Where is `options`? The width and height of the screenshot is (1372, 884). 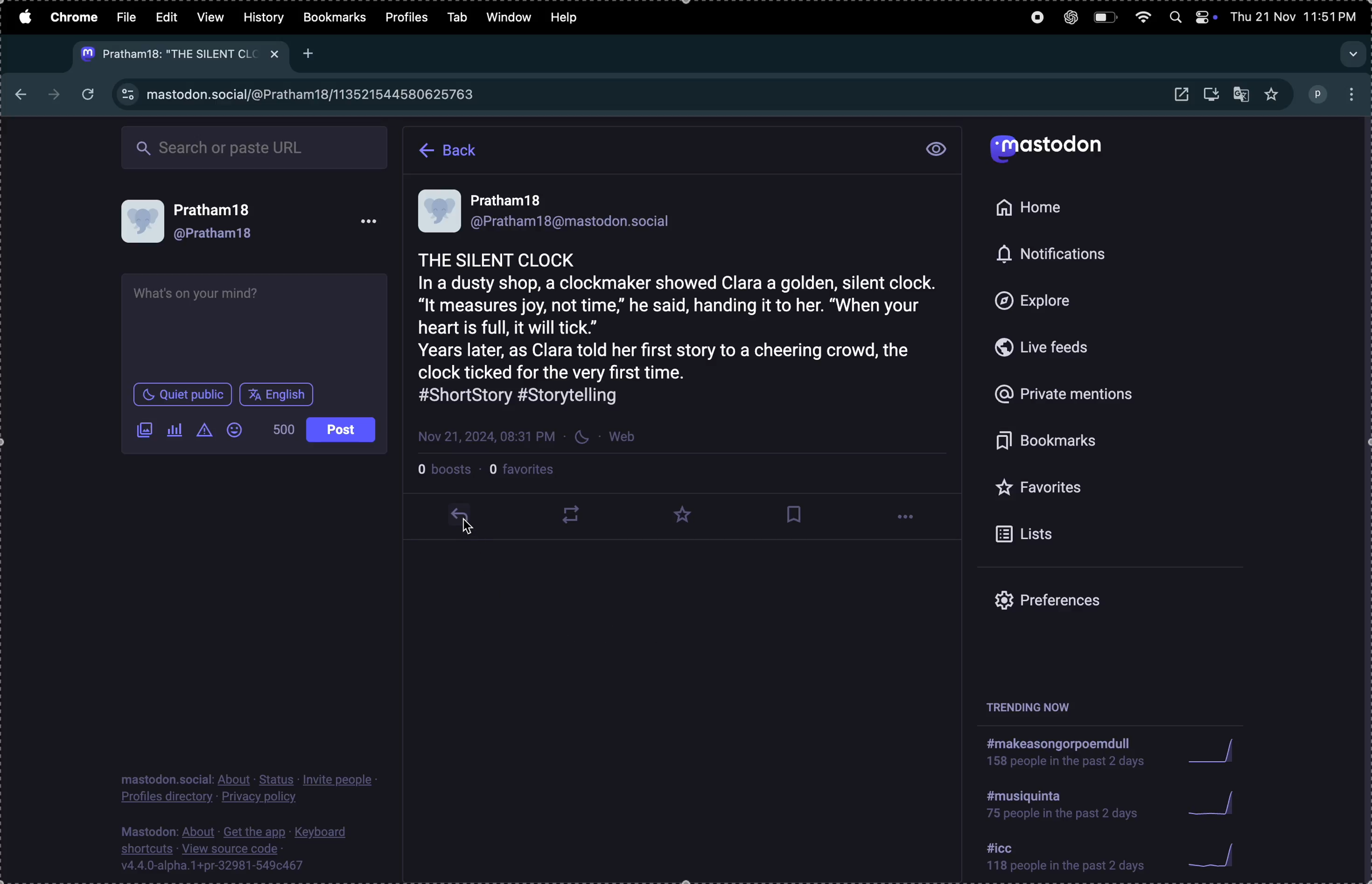
options is located at coordinates (910, 519).